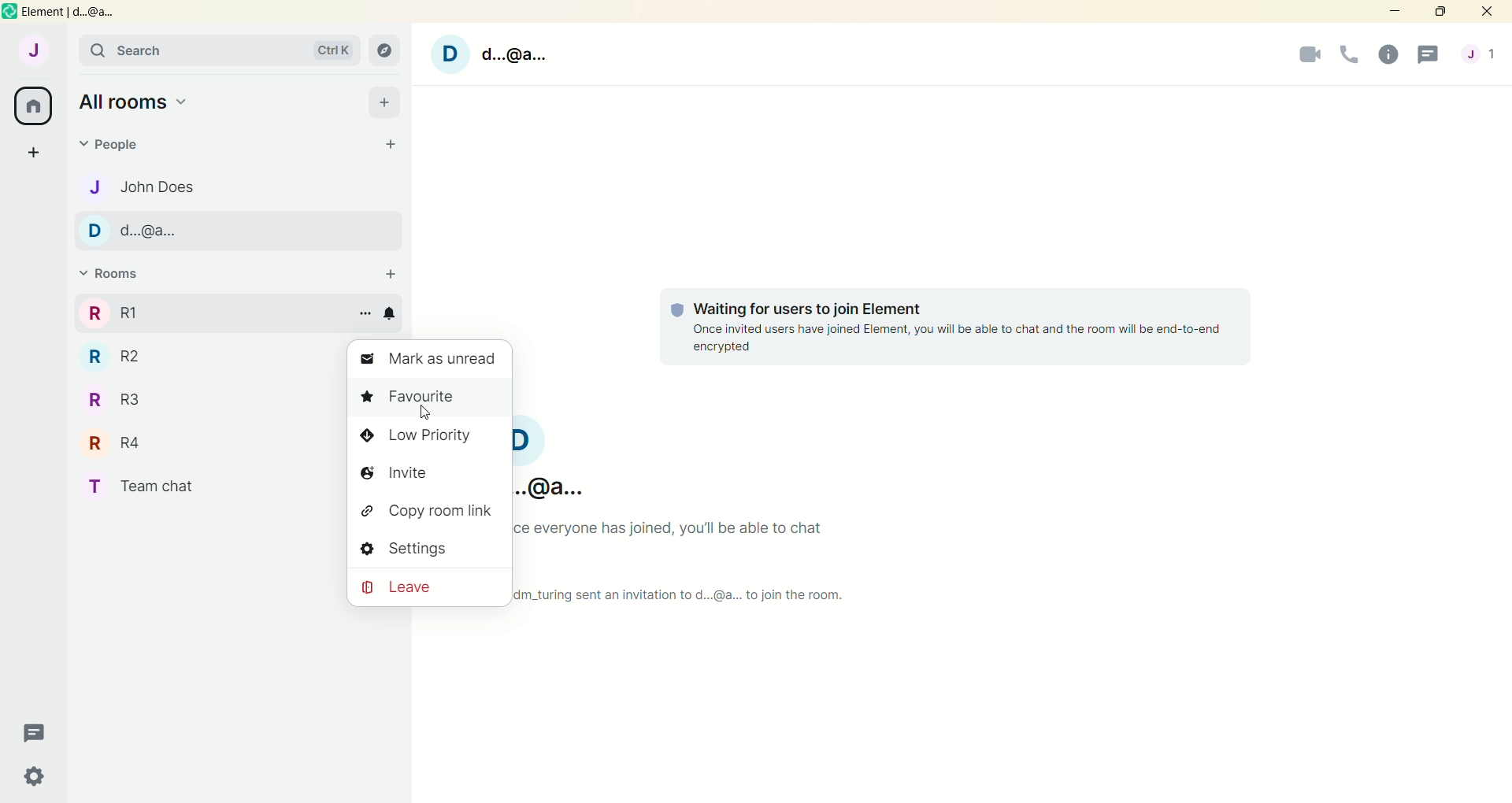 This screenshot has height=803, width=1512. Describe the element at coordinates (1438, 13) in the screenshot. I see `Maximize ` at that location.